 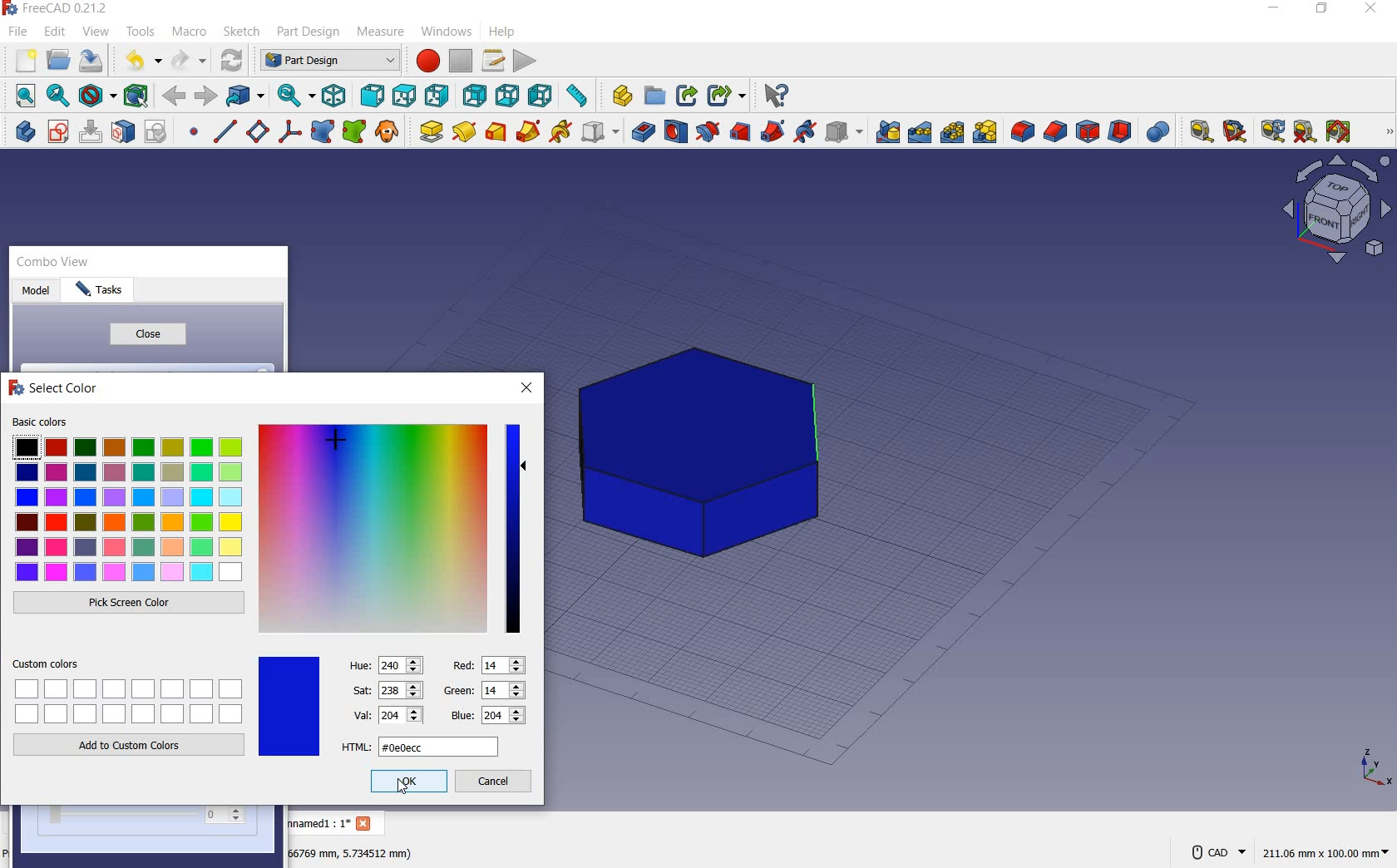 I want to click on tools, so click(x=142, y=33).